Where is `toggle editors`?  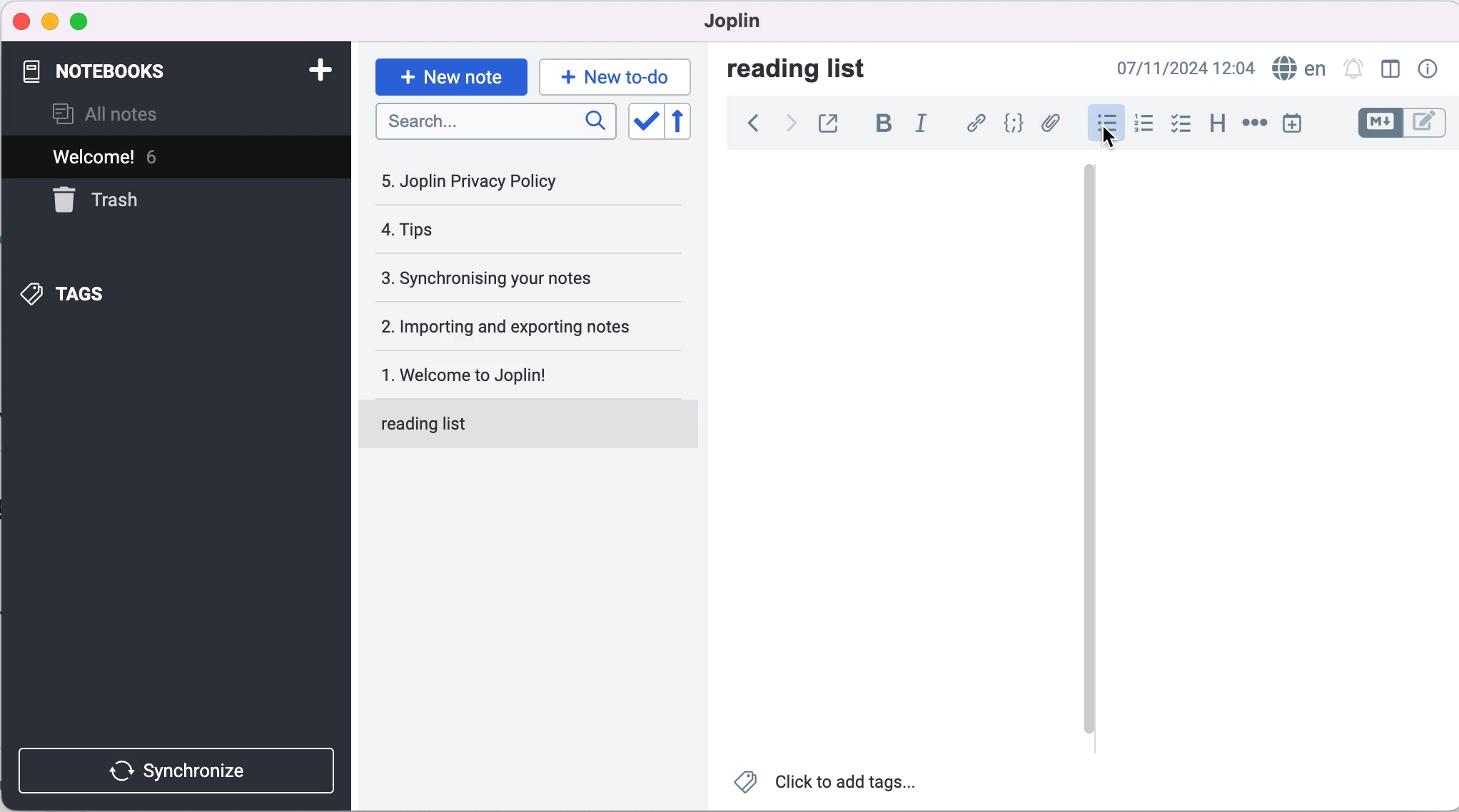 toggle editors is located at coordinates (1397, 123).